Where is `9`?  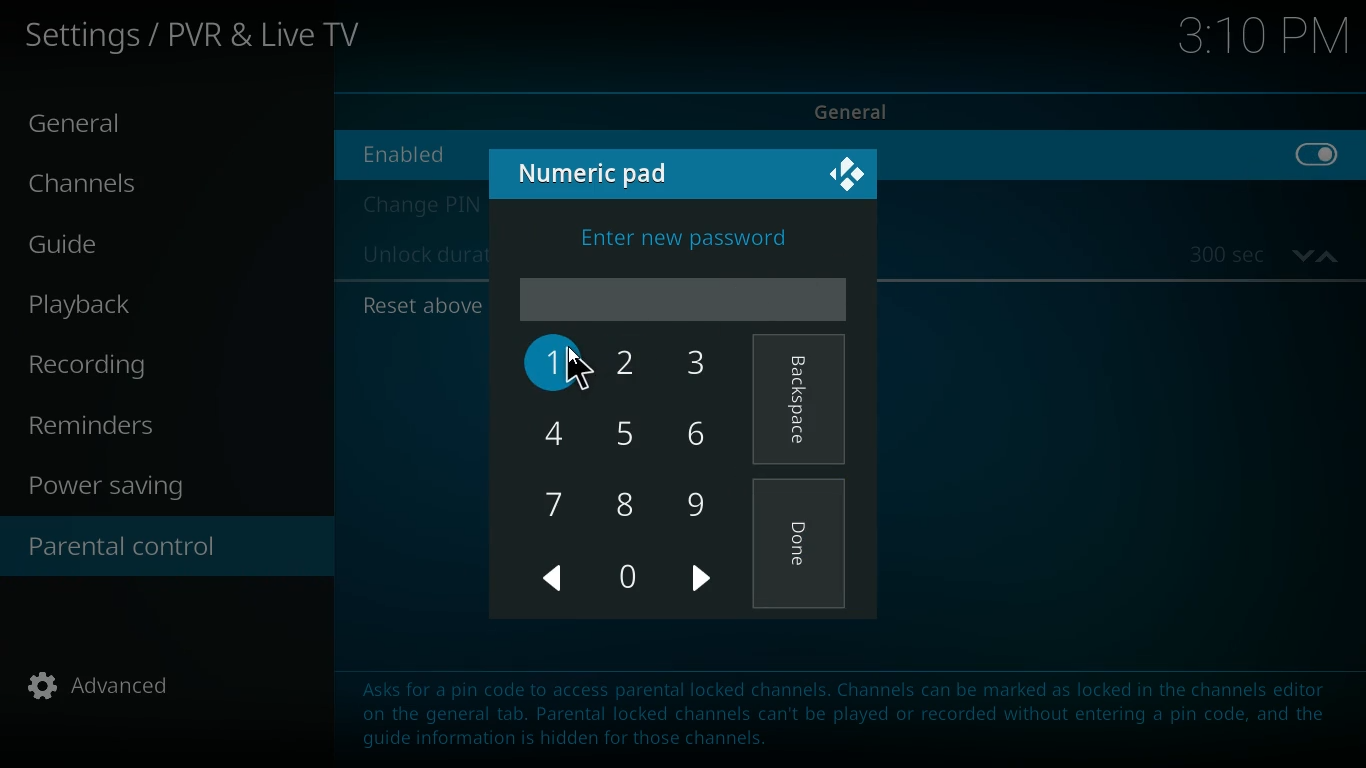
9 is located at coordinates (700, 500).